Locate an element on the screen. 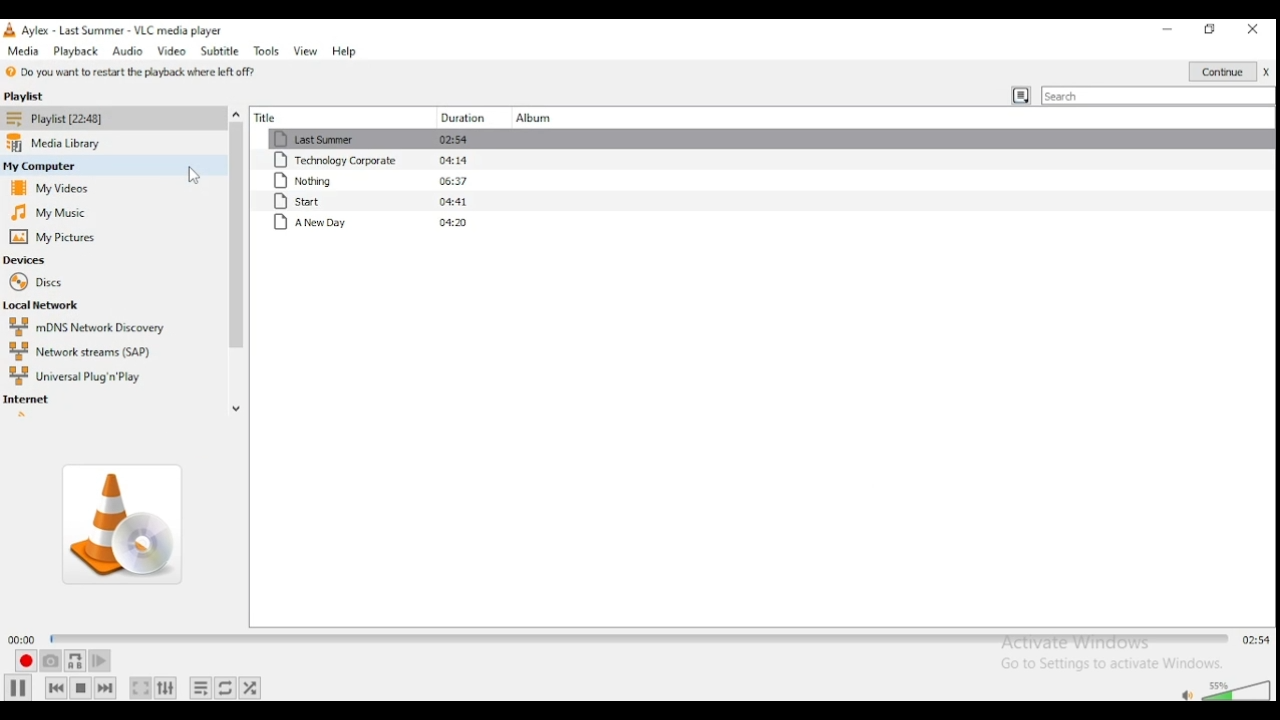 The height and width of the screenshot is (720, 1280). mute/unmute is located at coordinates (1186, 694).